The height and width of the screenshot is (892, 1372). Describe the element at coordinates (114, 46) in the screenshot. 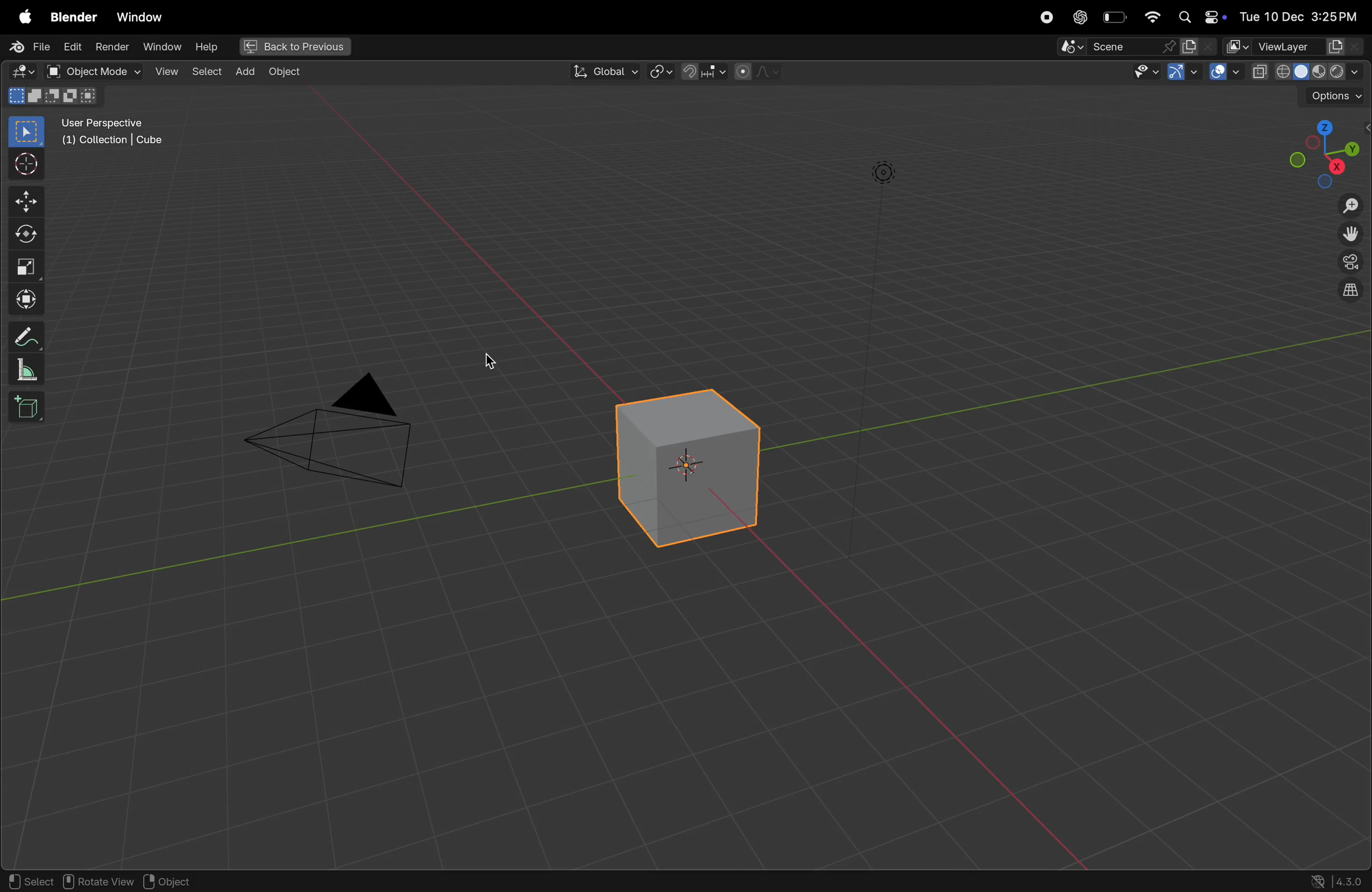

I see `render` at that location.